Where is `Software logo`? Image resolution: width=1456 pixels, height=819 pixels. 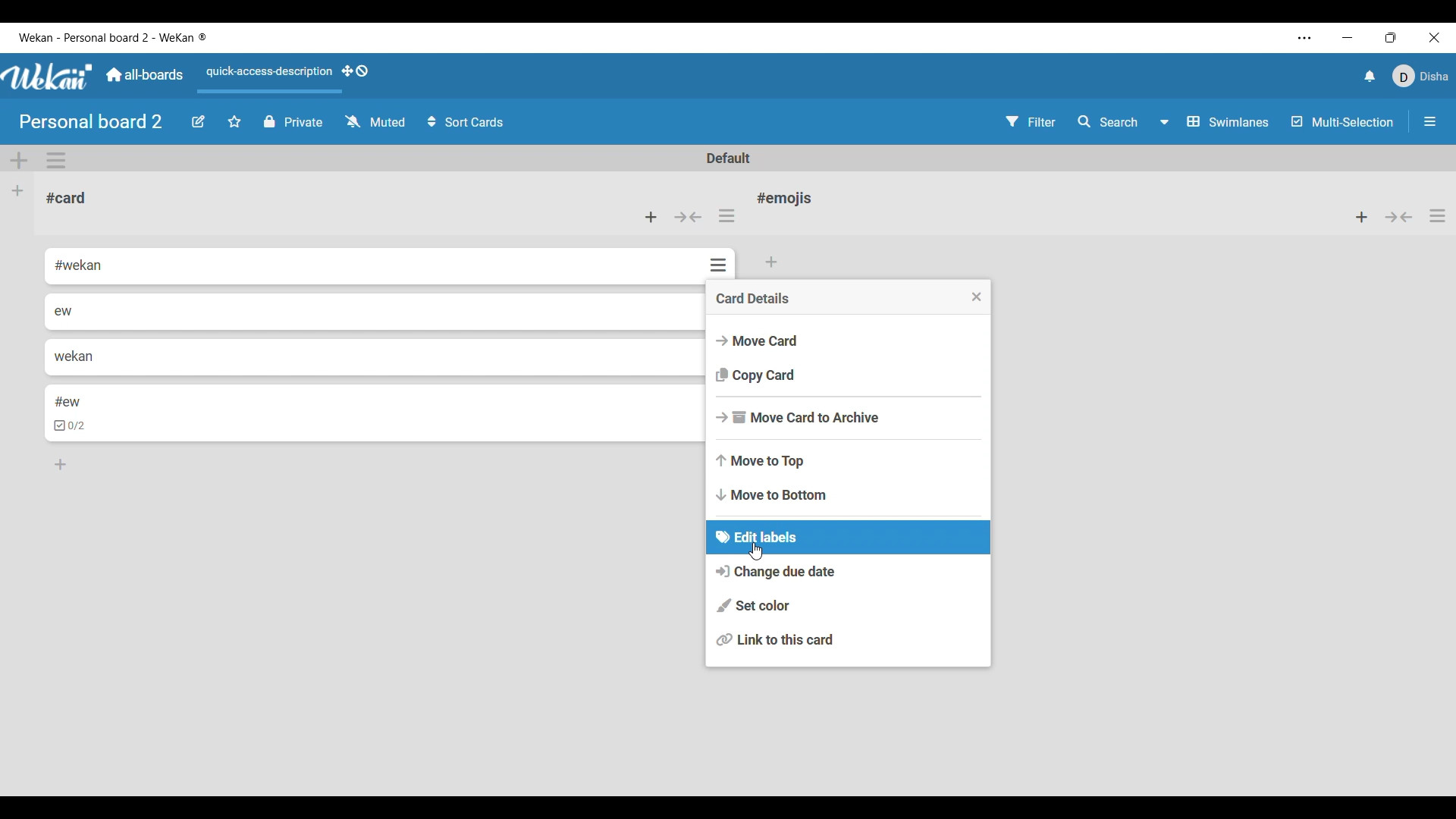
Software logo is located at coordinates (48, 77).